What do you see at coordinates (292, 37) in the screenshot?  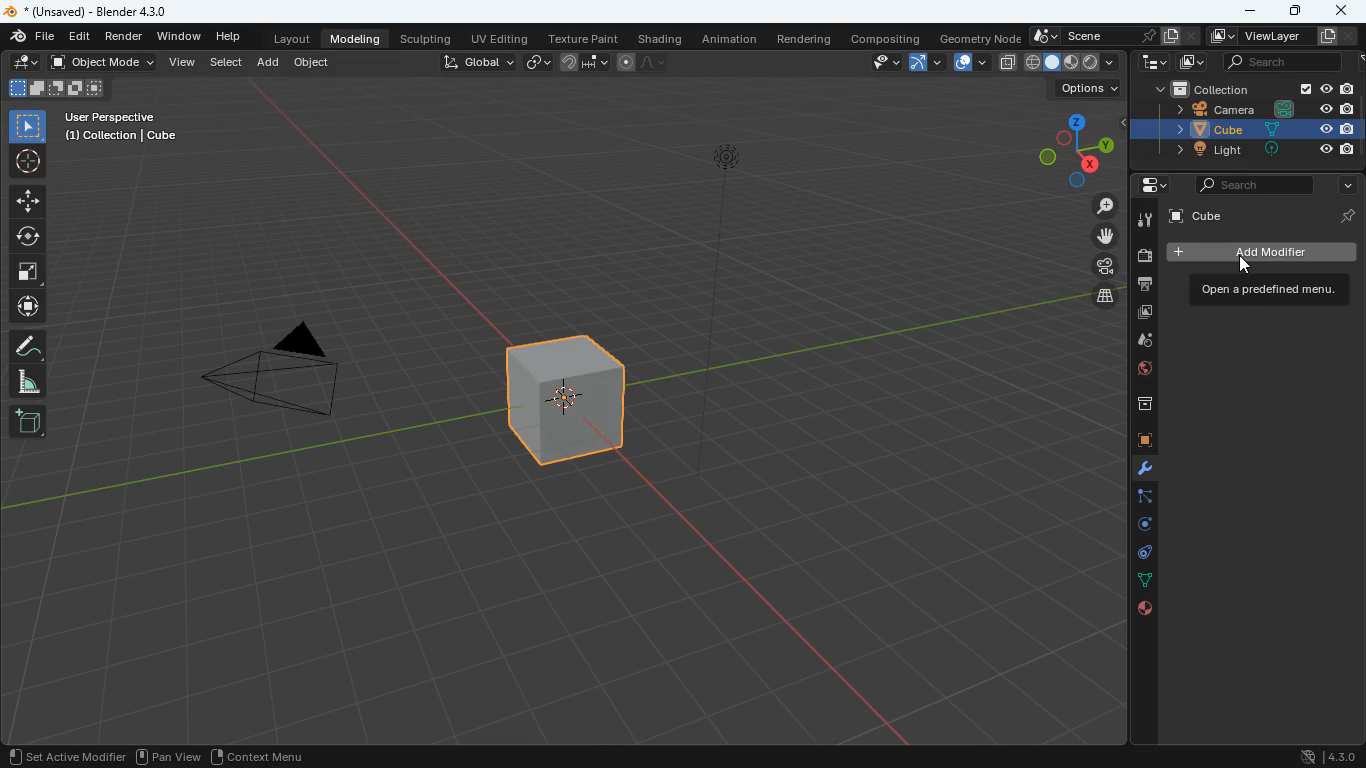 I see `layout` at bounding box center [292, 37].